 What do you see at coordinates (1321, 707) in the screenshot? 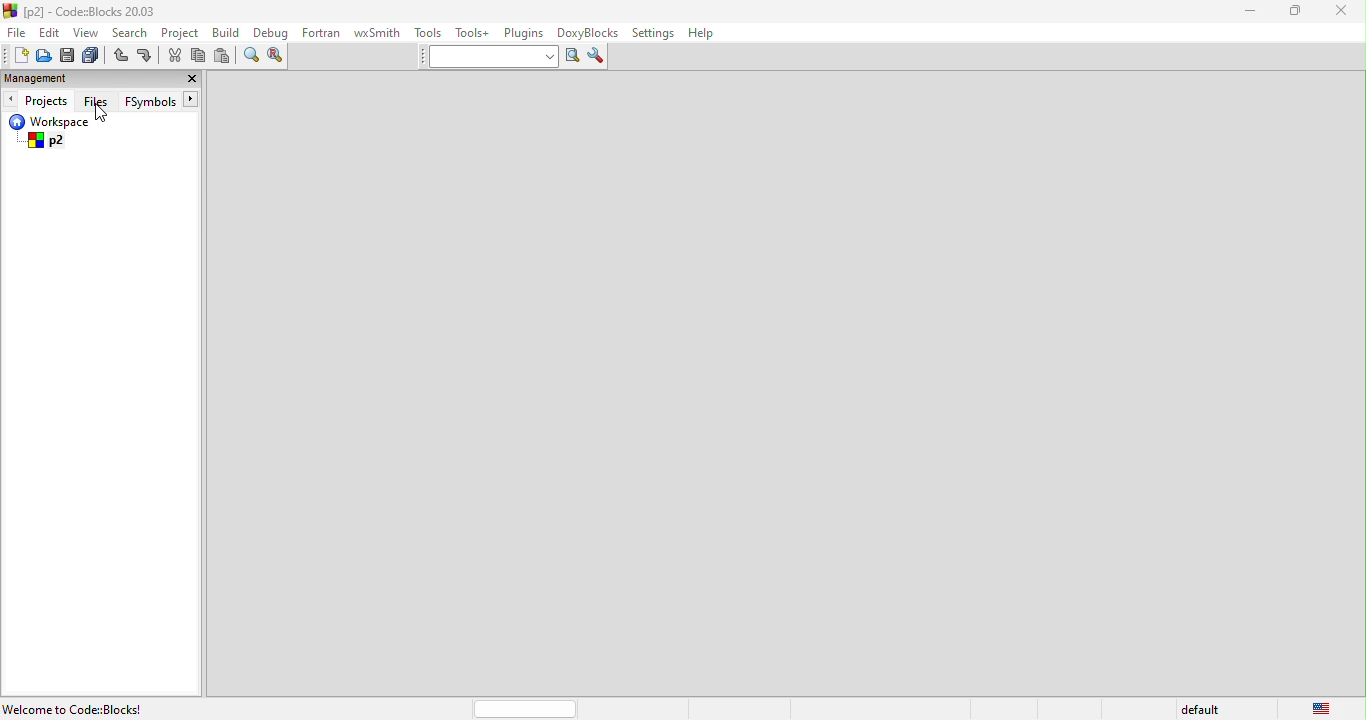
I see `united state` at bounding box center [1321, 707].